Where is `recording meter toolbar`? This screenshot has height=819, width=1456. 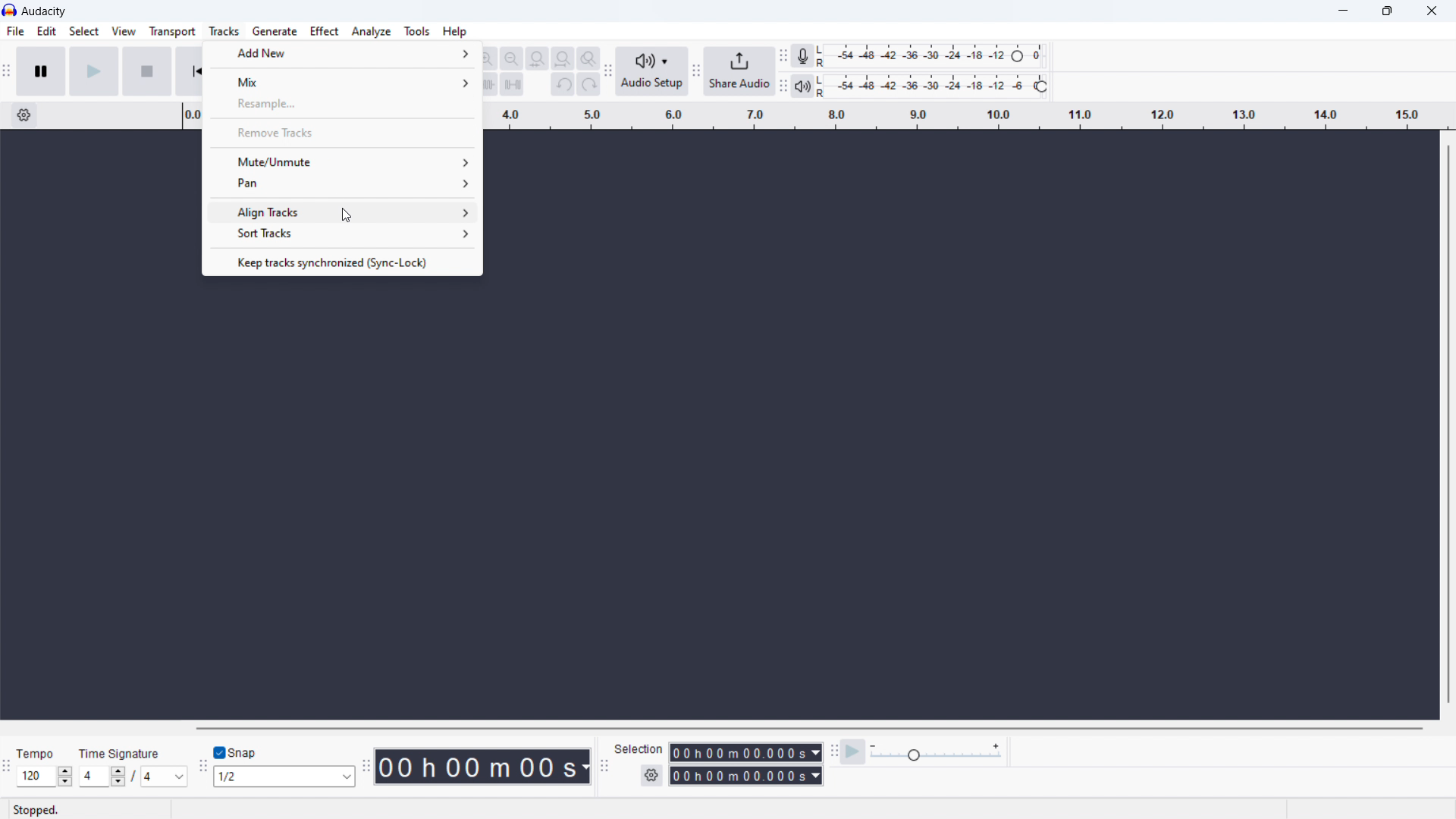 recording meter toolbar is located at coordinates (783, 56).